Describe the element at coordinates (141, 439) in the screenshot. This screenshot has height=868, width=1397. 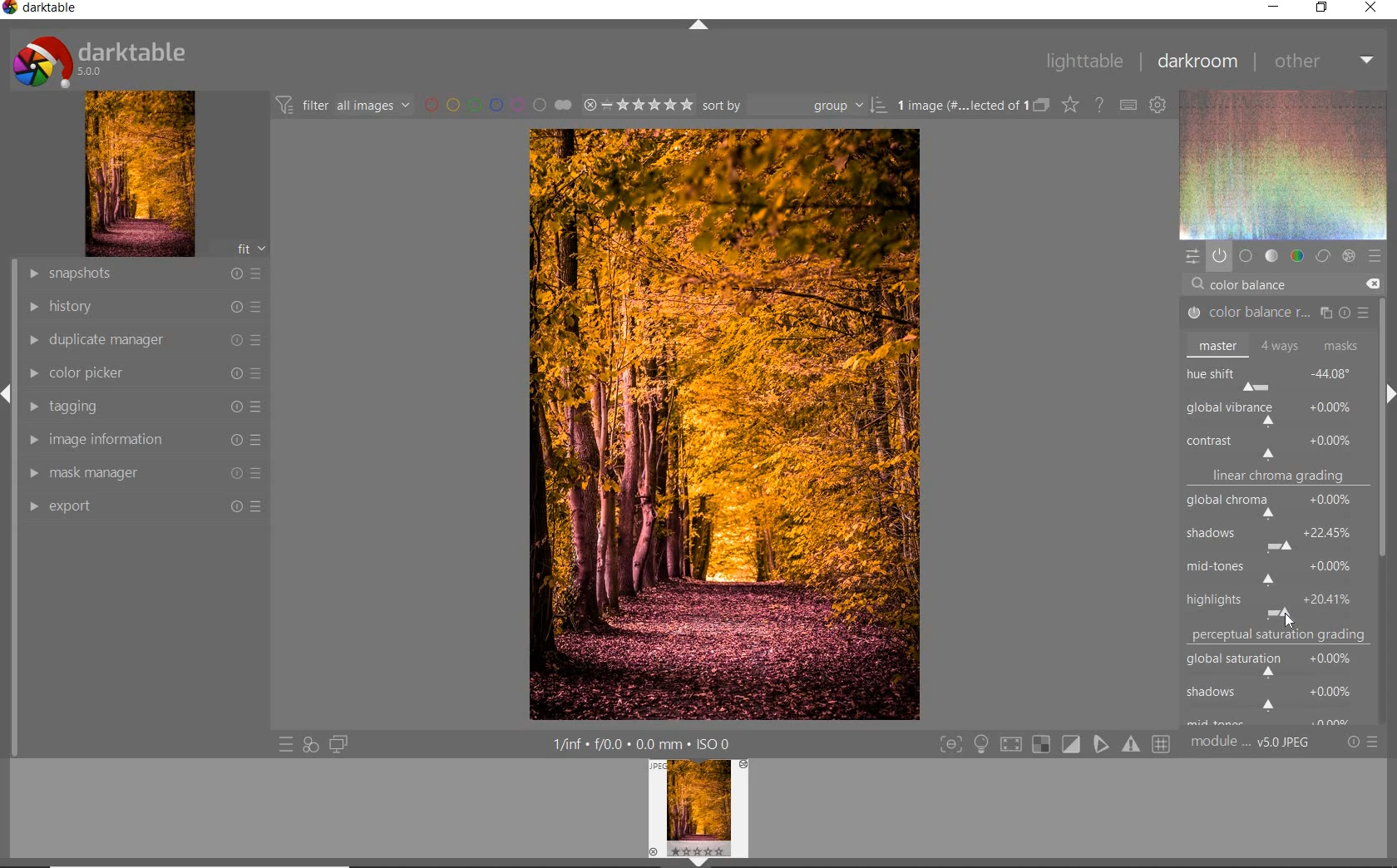
I see `image information` at that location.